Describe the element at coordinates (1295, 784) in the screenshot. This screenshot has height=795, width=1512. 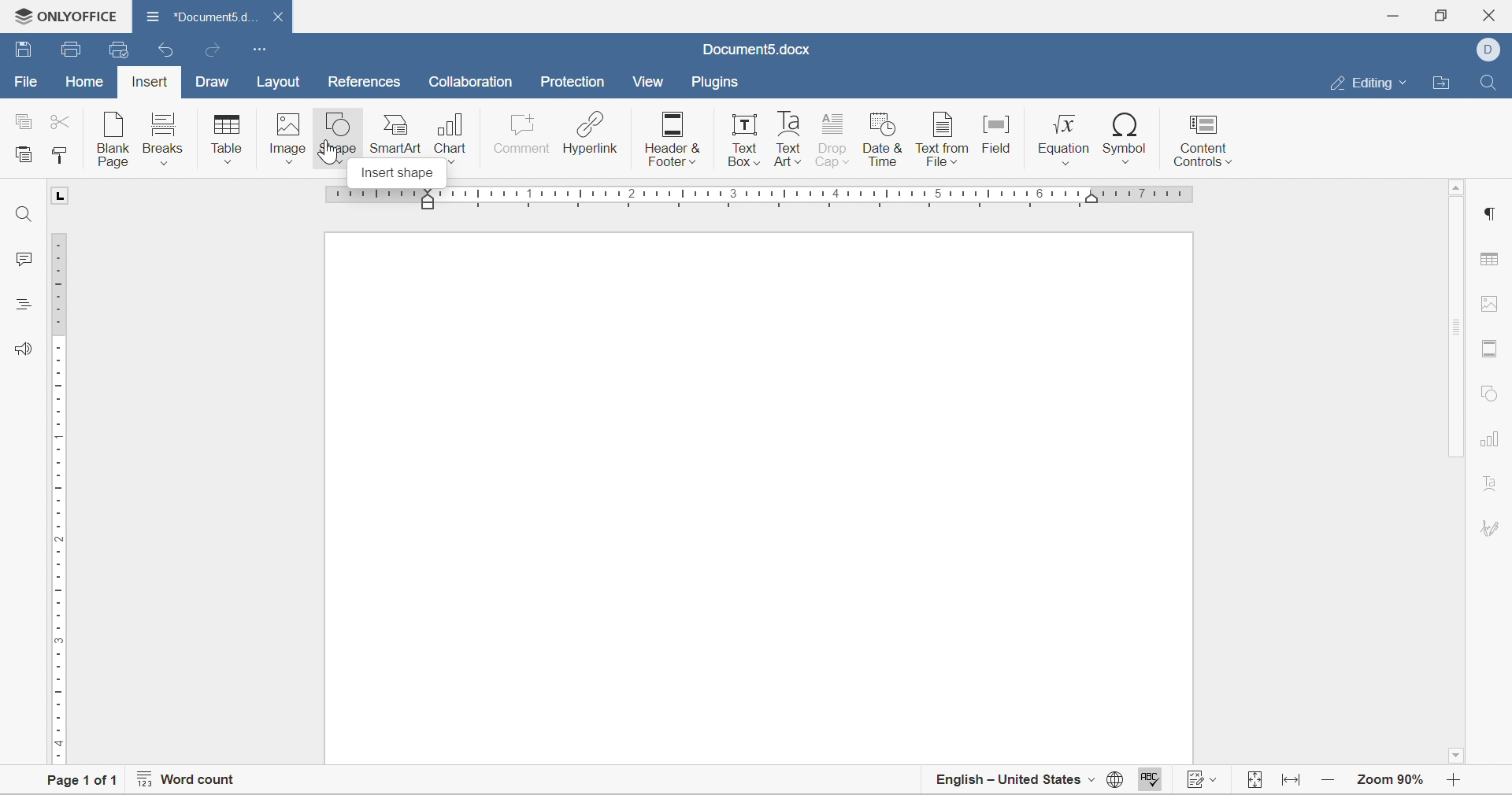
I see `fit to width` at that location.